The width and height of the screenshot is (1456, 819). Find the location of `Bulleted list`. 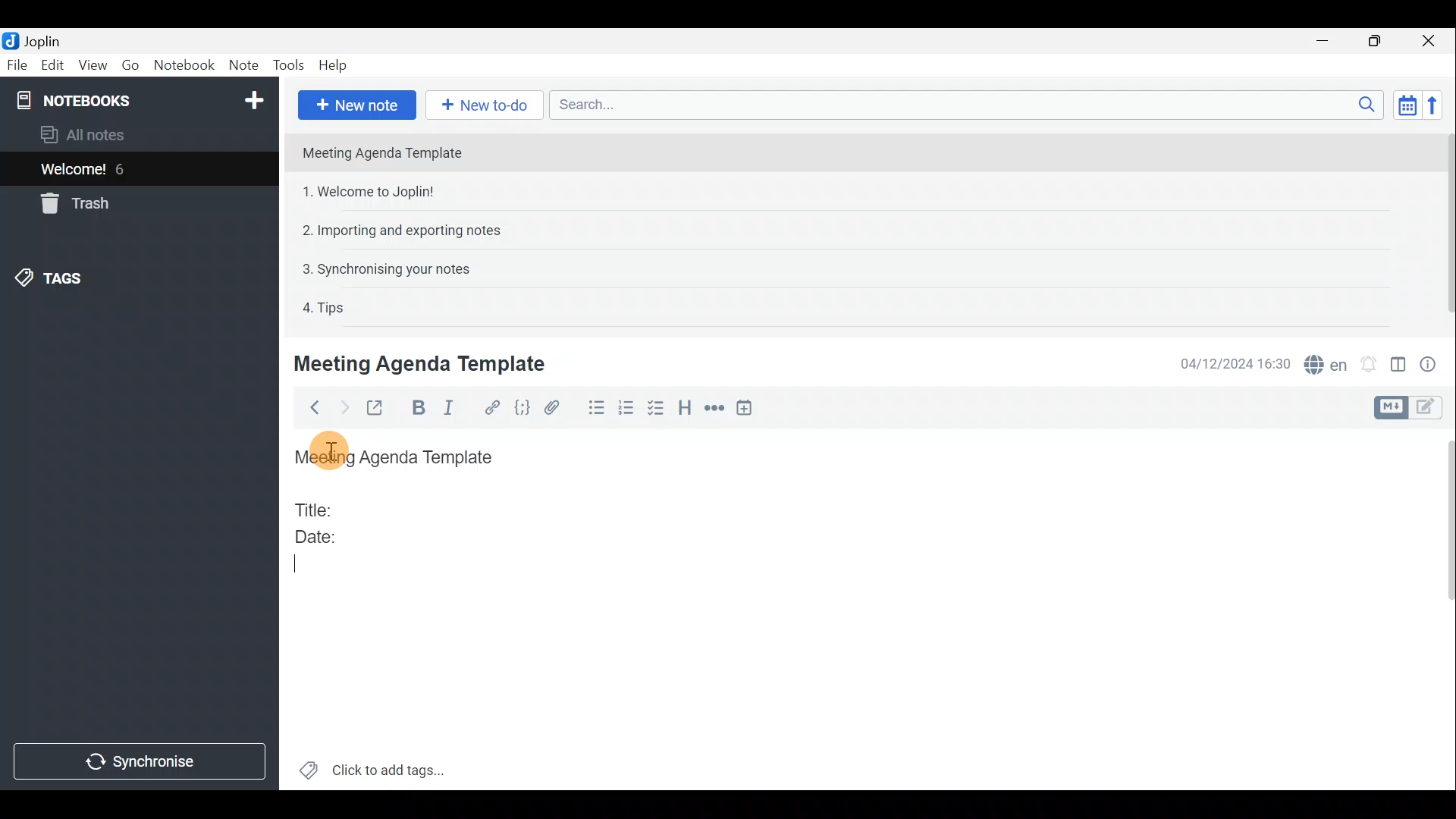

Bulleted list is located at coordinates (595, 408).